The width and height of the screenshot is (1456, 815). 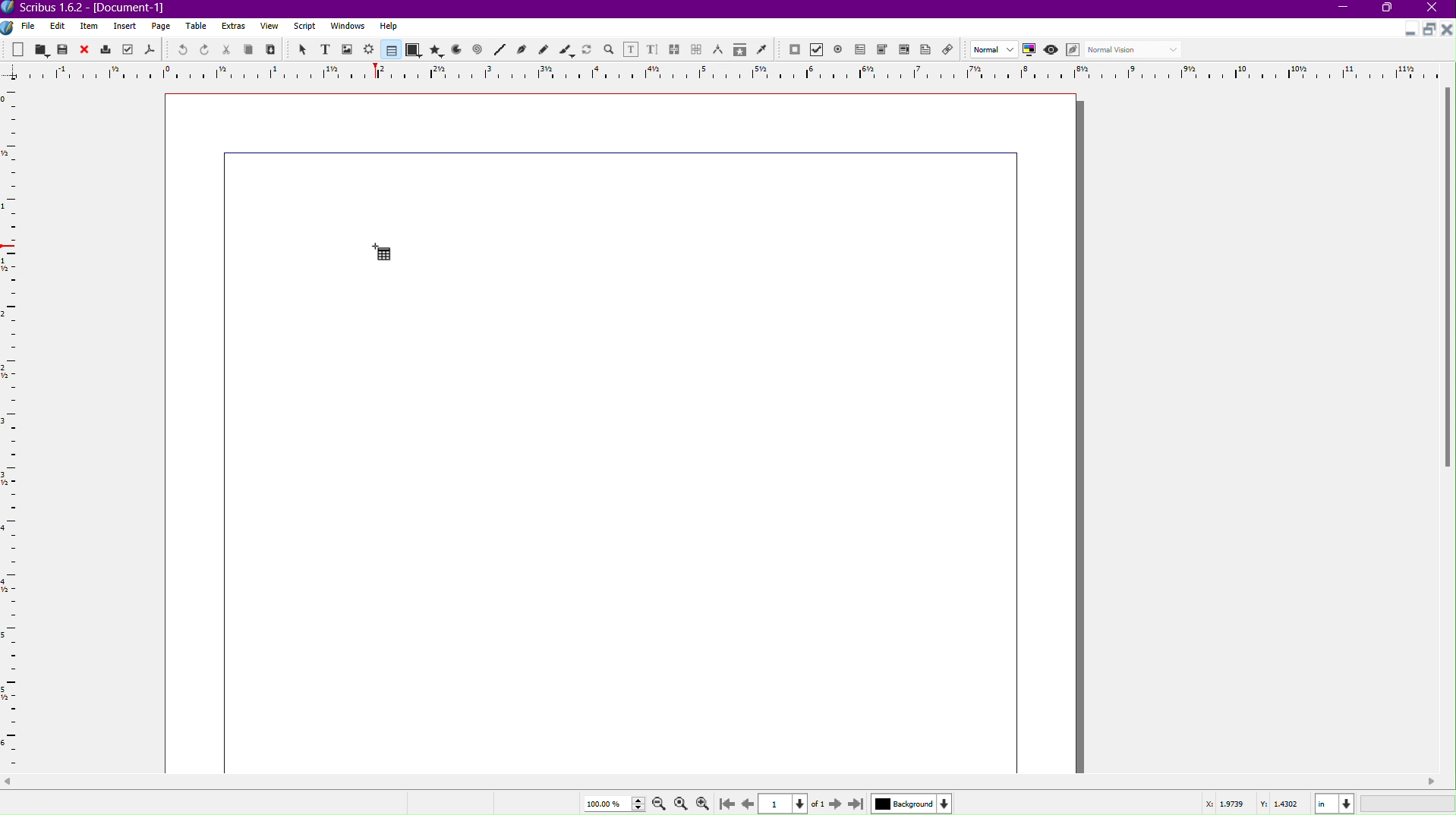 What do you see at coordinates (1390, 10) in the screenshot?
I see `Maximize` at bounding box center [1390, 10].